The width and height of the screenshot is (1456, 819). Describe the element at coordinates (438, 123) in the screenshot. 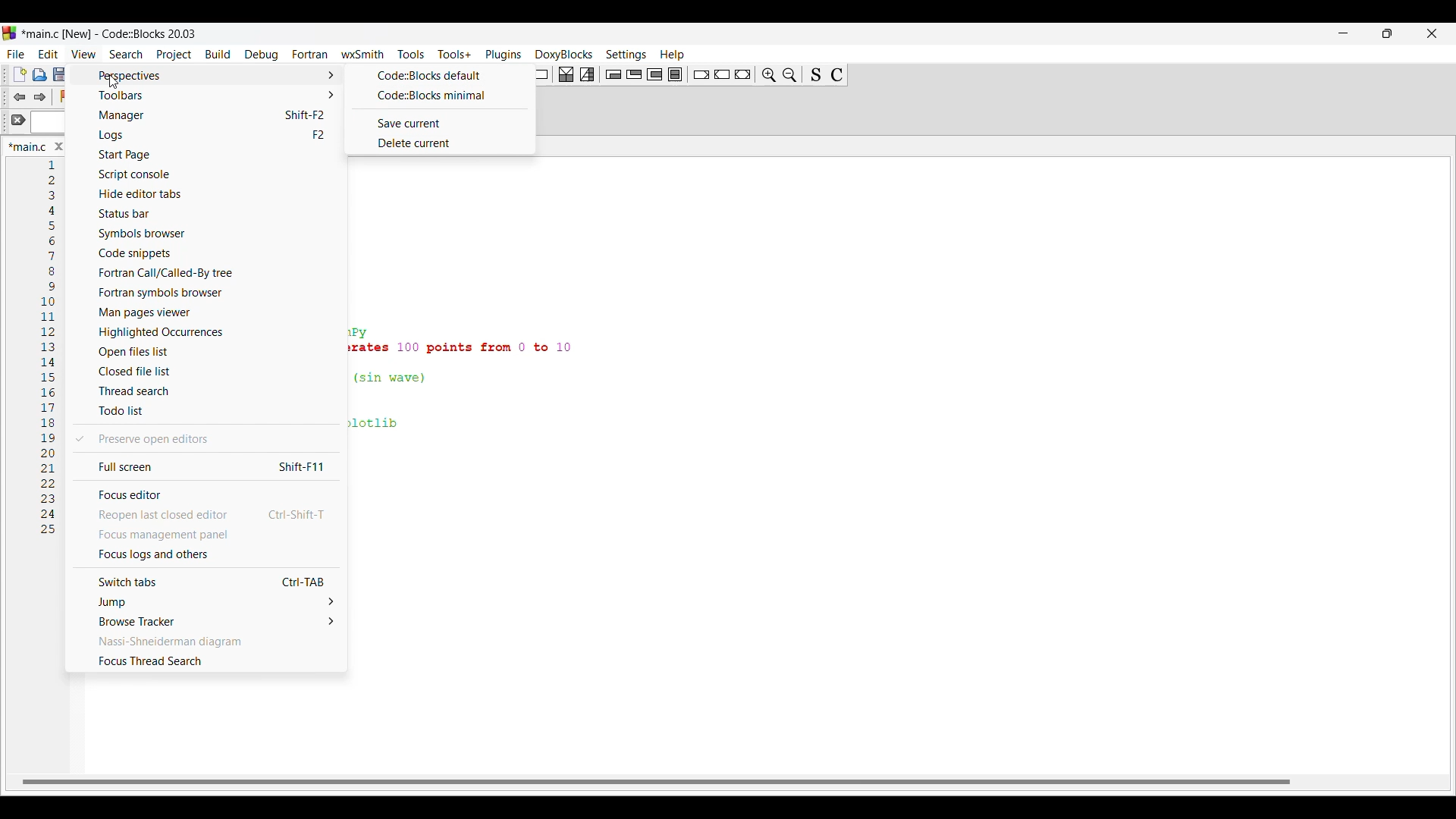

I see `Save current view` at that location.